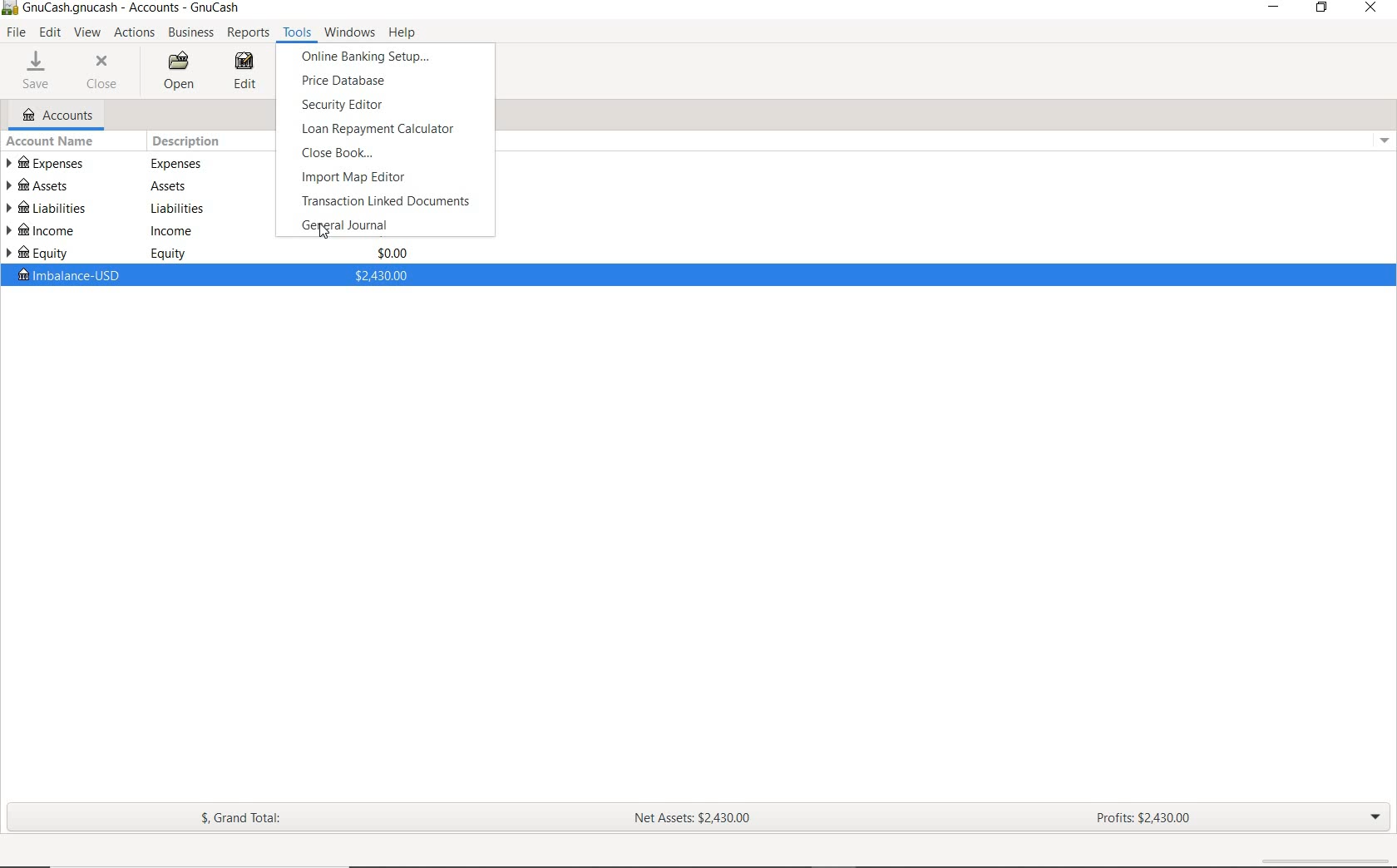 This screenshot has width=1397, height=868. I want to click on PRICE DATABASE, so click(388, 81).